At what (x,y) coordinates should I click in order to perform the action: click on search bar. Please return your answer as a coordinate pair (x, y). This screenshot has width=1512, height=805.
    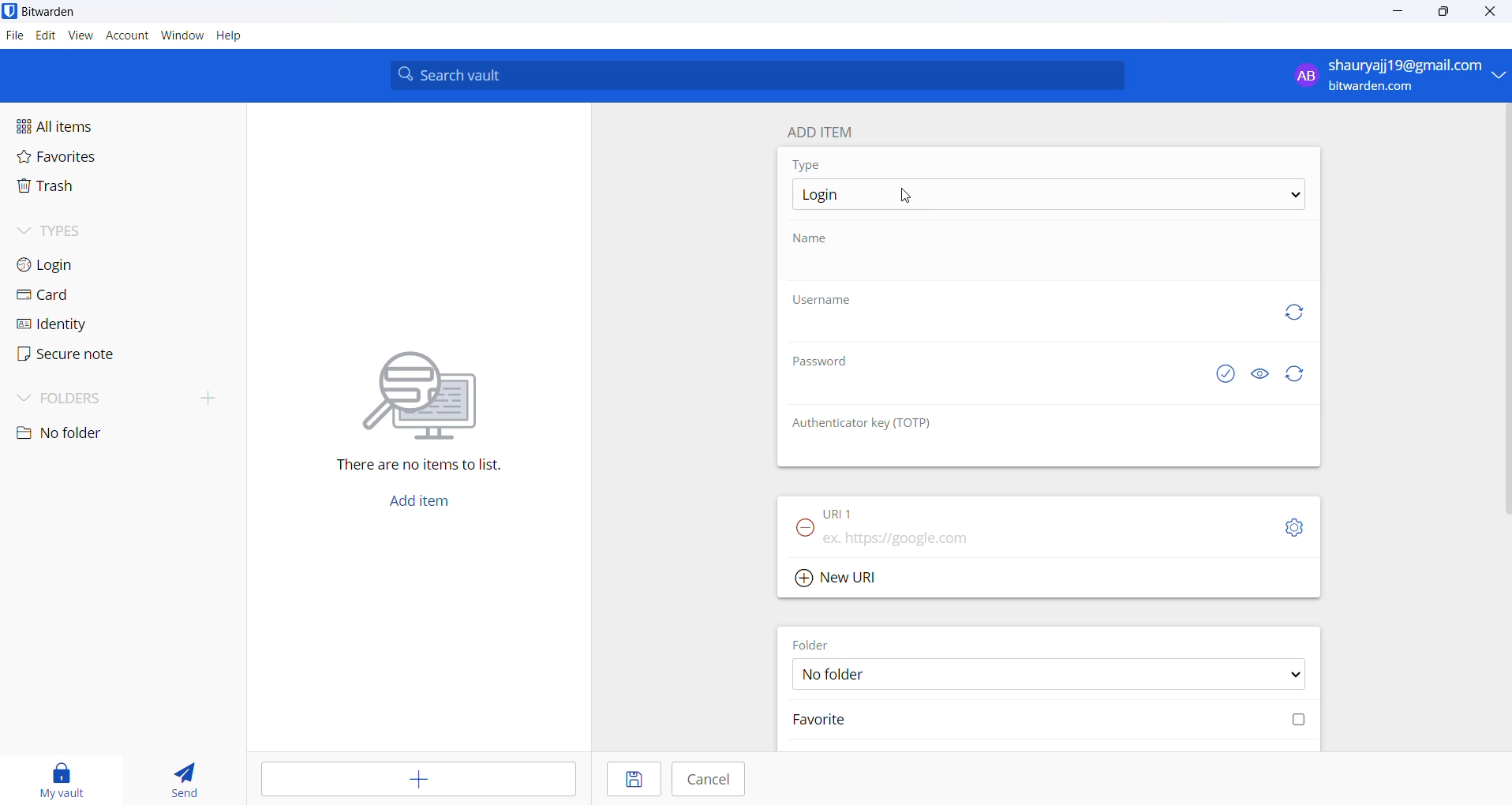
    Looking at the image, I should click on (757, 75).